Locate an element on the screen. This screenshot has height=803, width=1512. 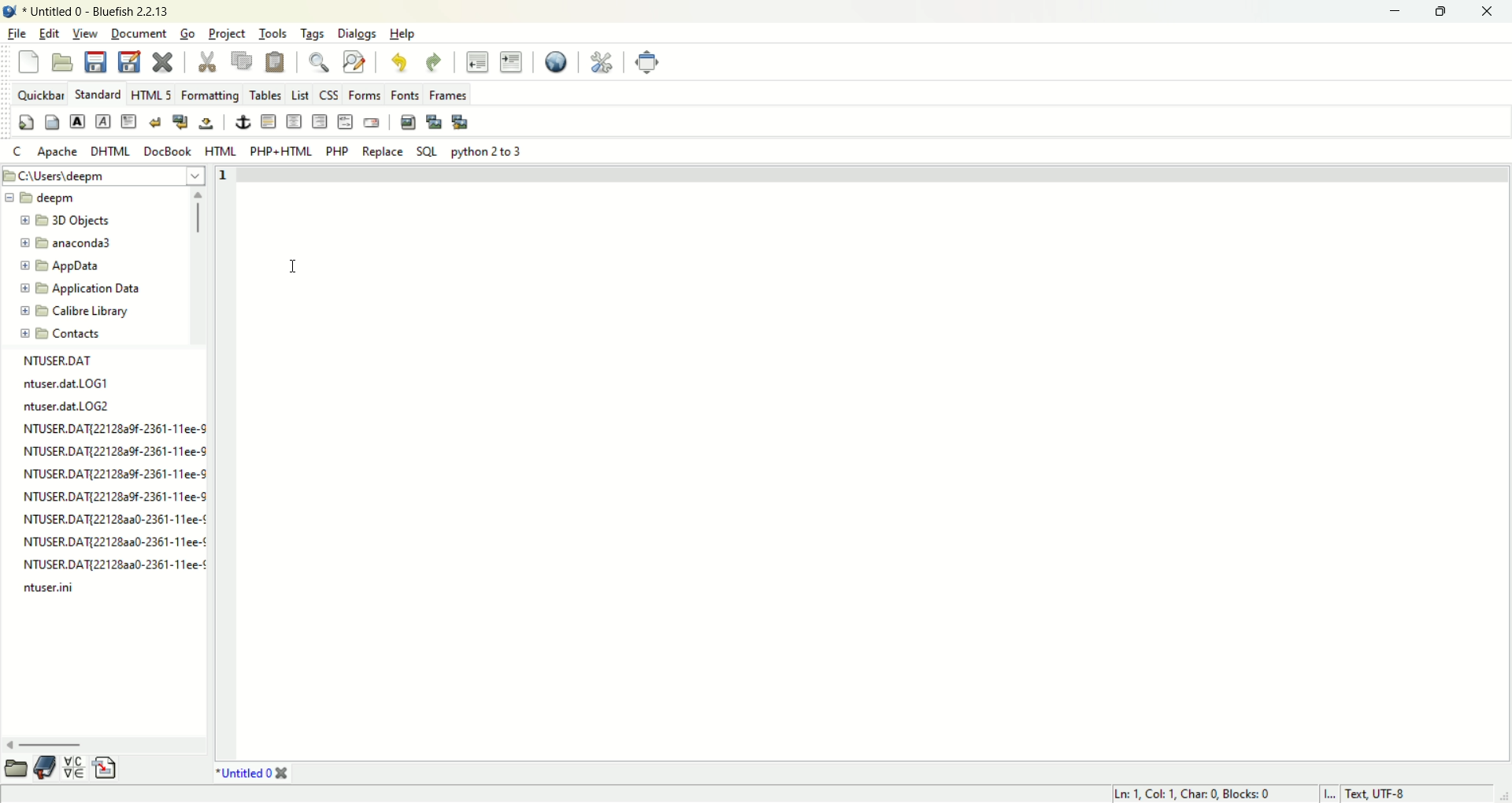
new folder is located at coordinates (99, 289).